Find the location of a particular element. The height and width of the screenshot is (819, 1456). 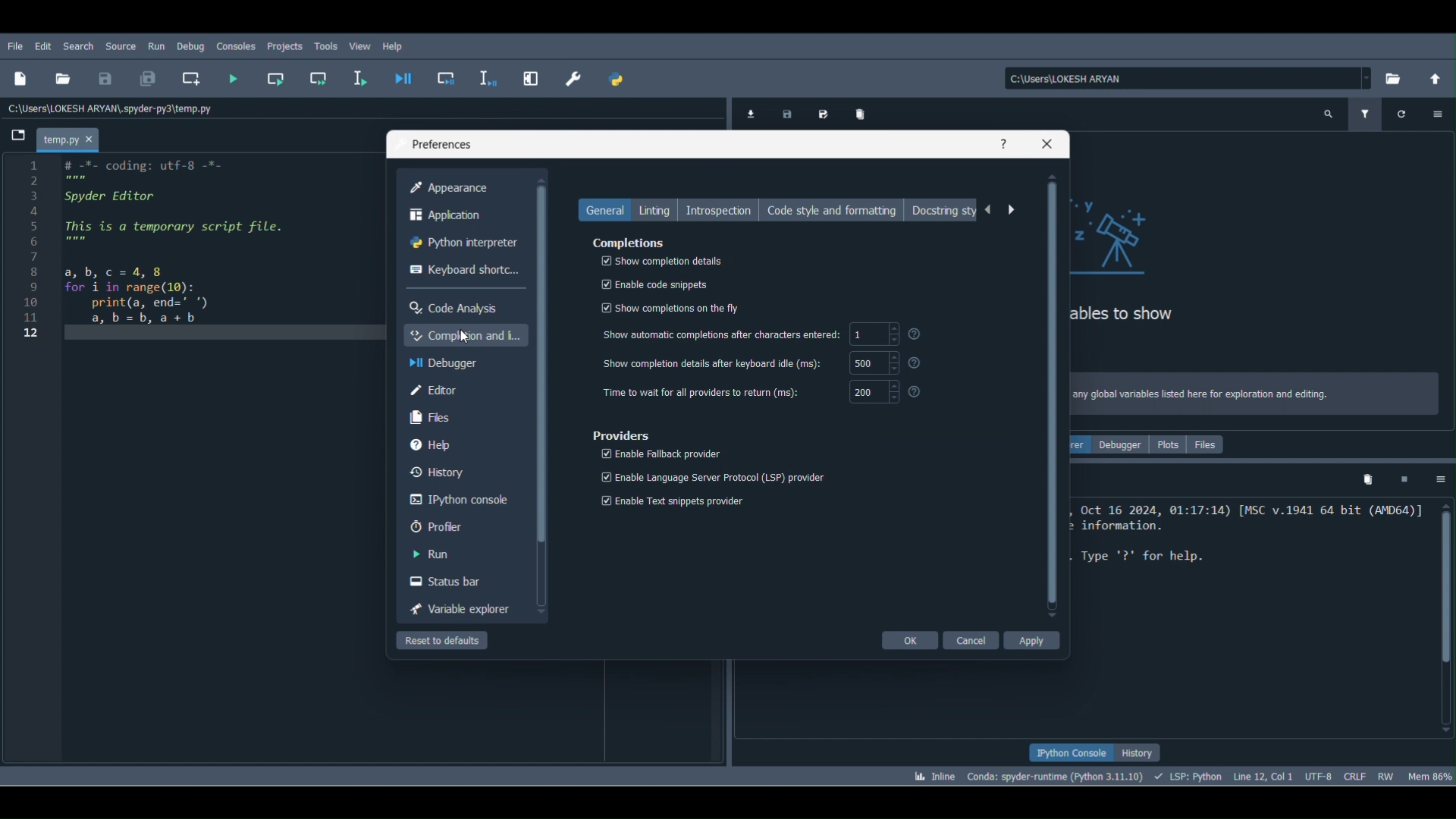

Save file ( Ctrl + S) is located at coordinates (106, 80).